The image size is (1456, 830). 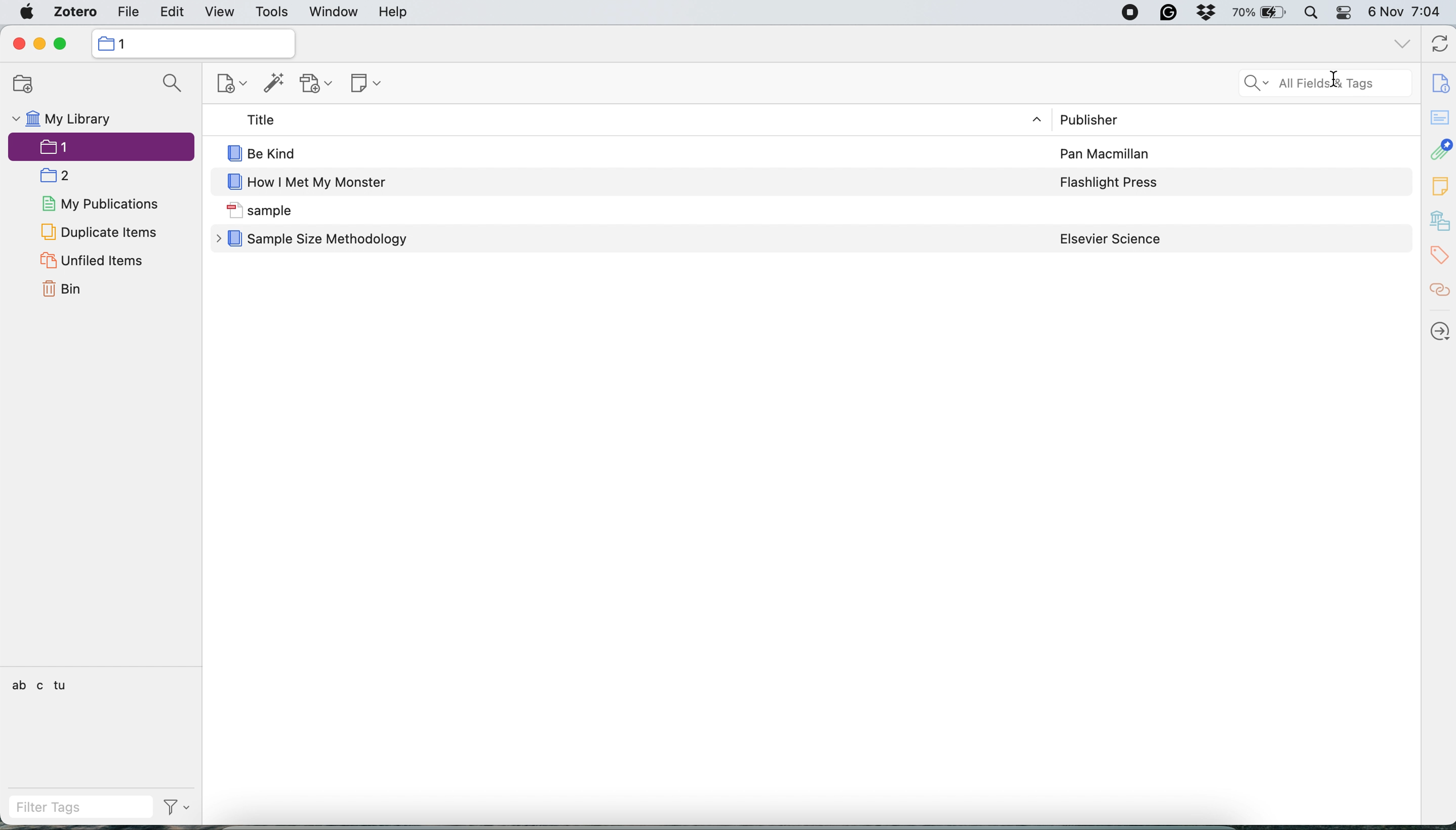 I want to click on duplicate items, so click(x=99, y=231).